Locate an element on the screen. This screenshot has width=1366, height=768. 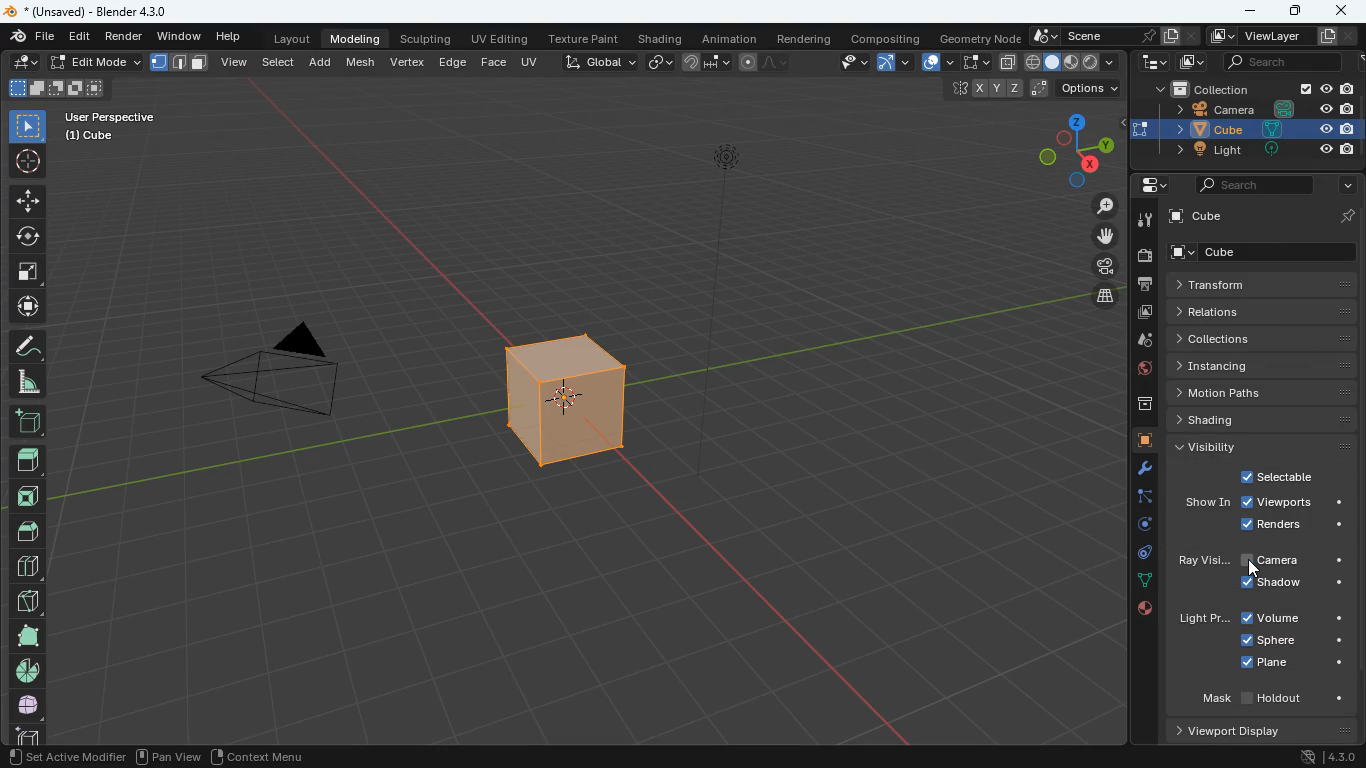
search is located at coordinates (1252, 184).